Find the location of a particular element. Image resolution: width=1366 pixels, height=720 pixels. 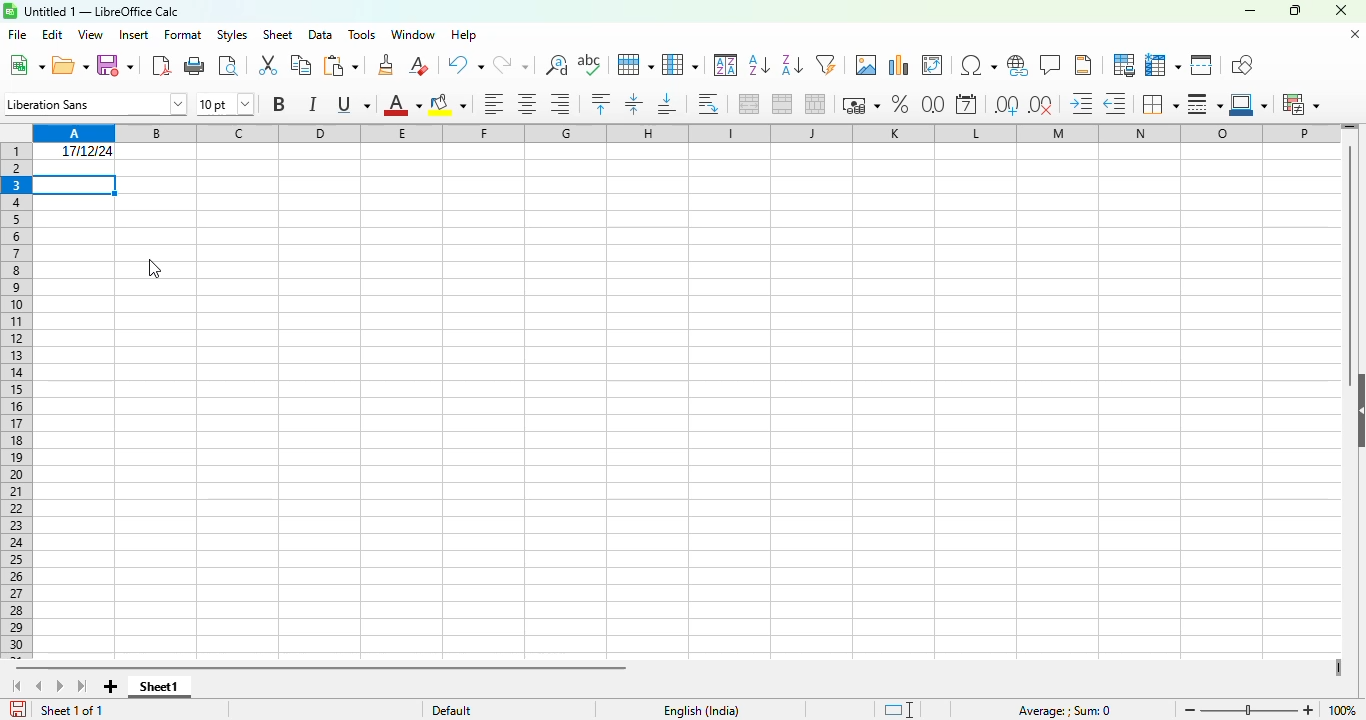

edit is located at coordinates (53, 35).